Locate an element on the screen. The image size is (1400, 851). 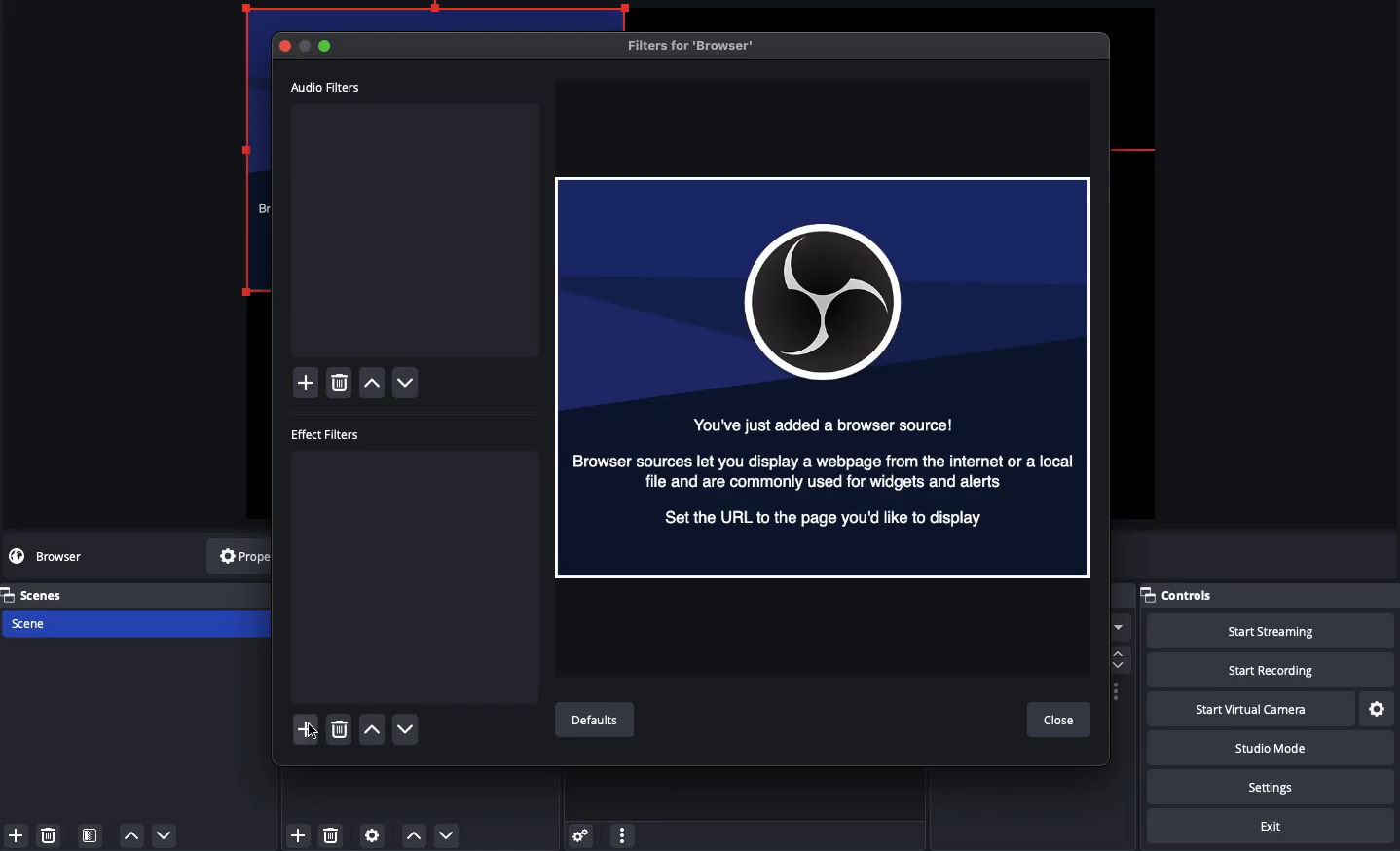
No source selected is located at coordinates (63, 556).